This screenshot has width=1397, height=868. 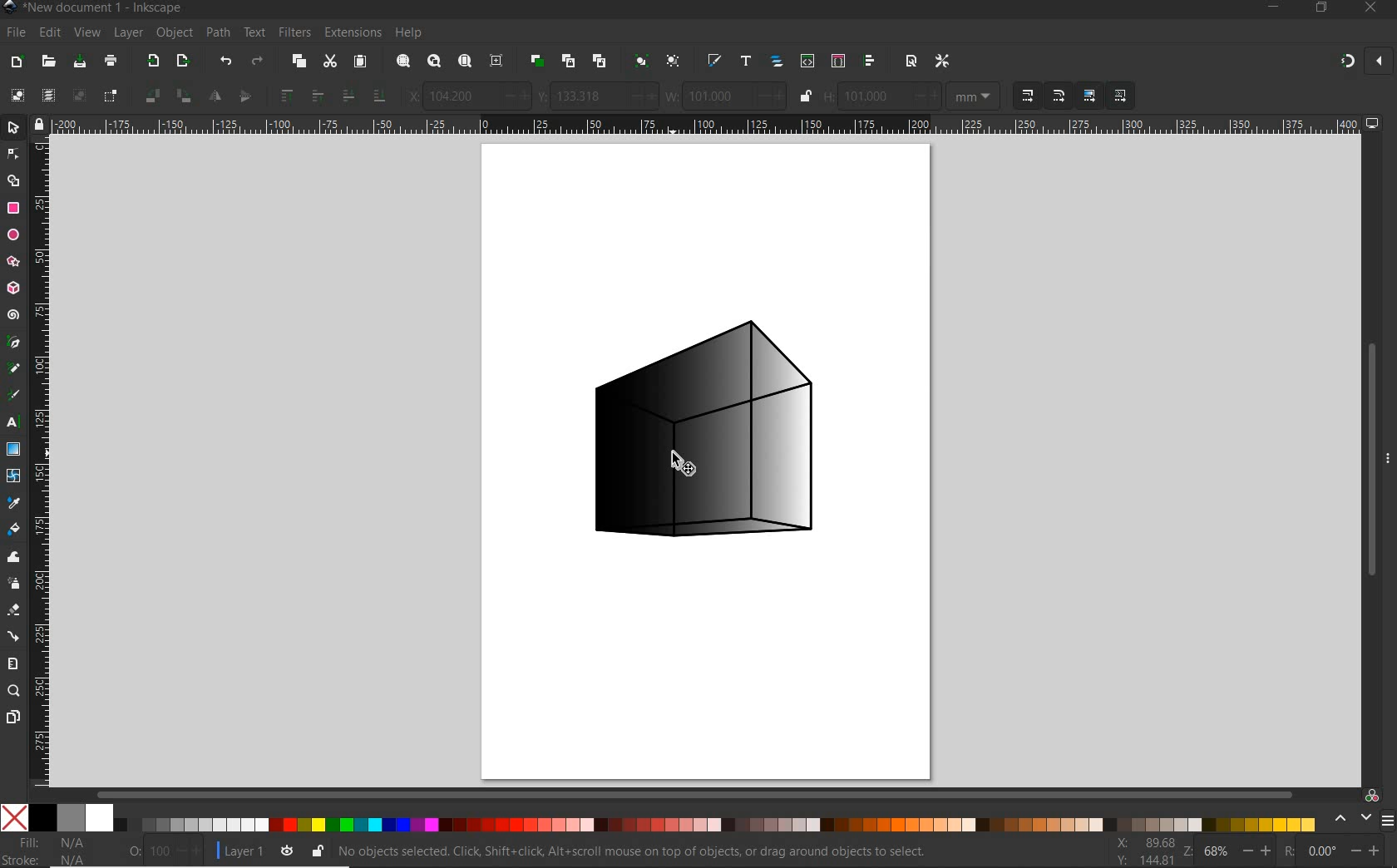 I want to click on OBJECT FLIP, so click(x=244, y=96).